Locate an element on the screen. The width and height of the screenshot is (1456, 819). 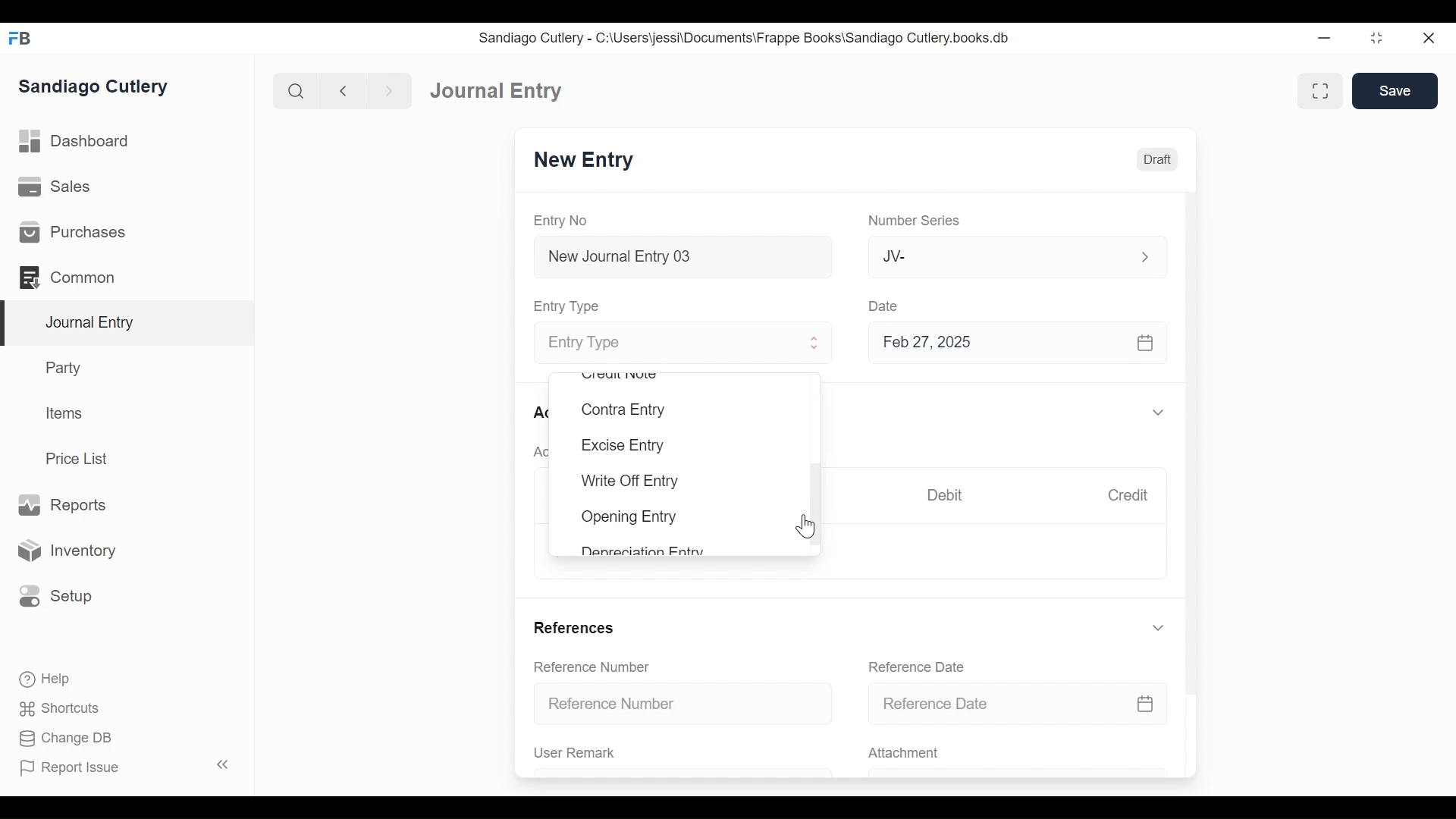
Inventory is located at coordinates (65, 550).